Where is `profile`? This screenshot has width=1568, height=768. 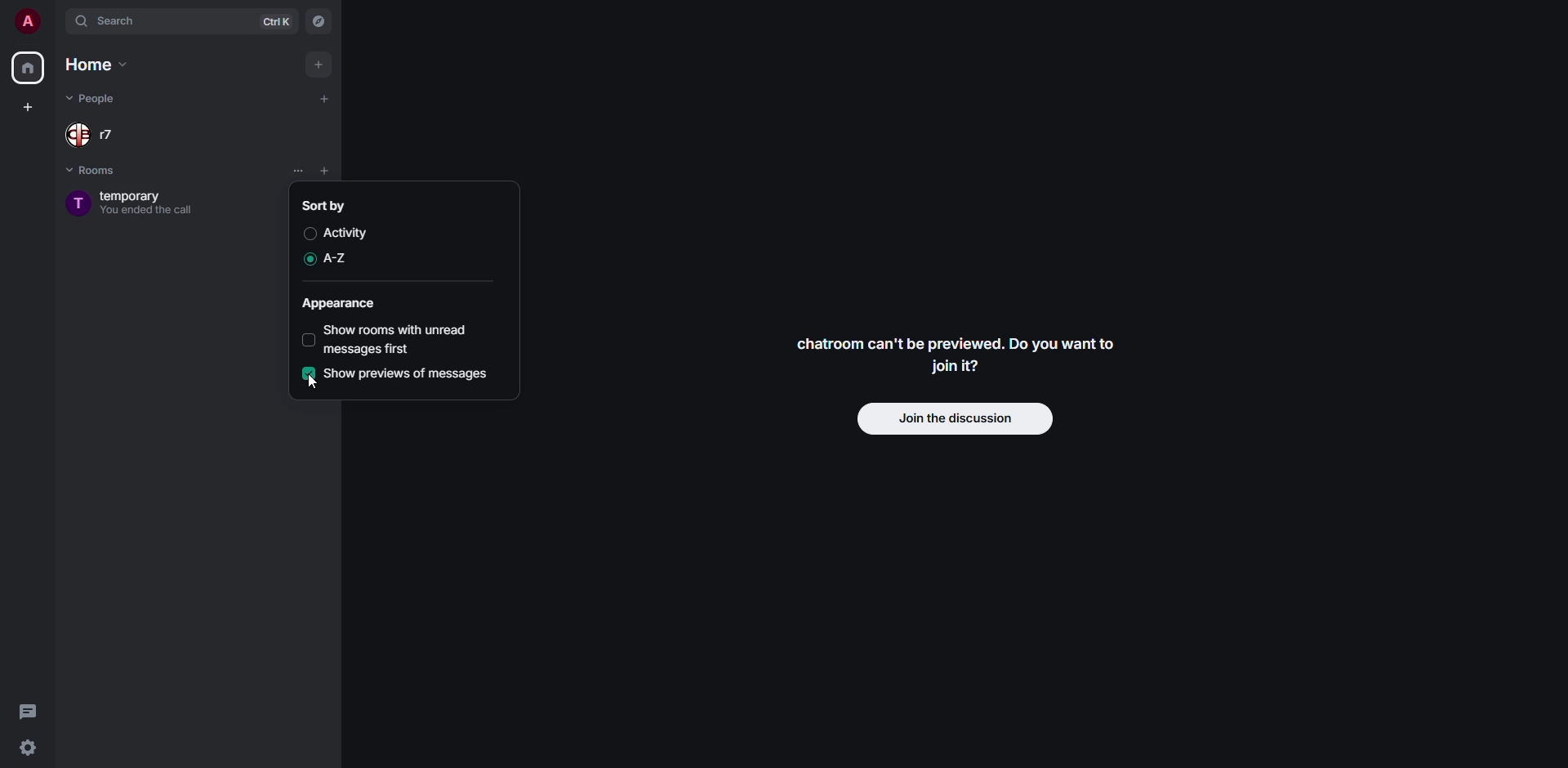 profile is located at coordinates (26, 22).